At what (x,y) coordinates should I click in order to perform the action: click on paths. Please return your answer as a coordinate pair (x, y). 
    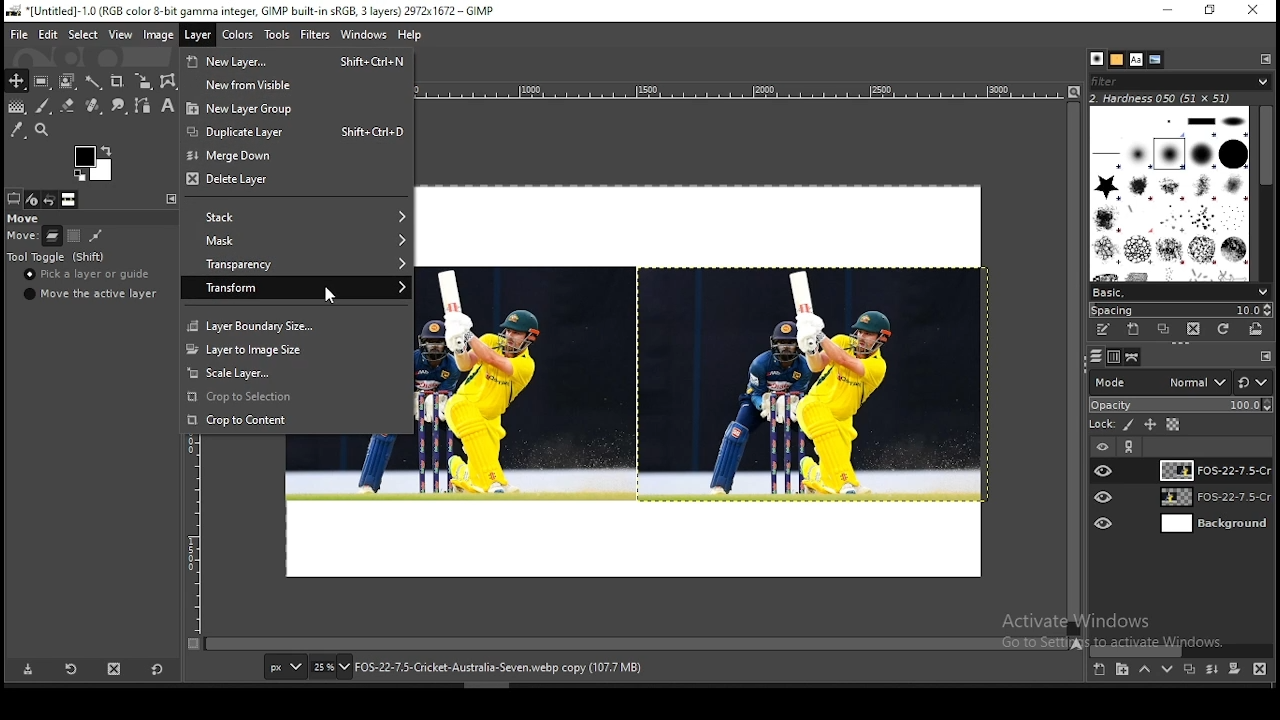
    Looking at the image, I should click on (1134, 357).